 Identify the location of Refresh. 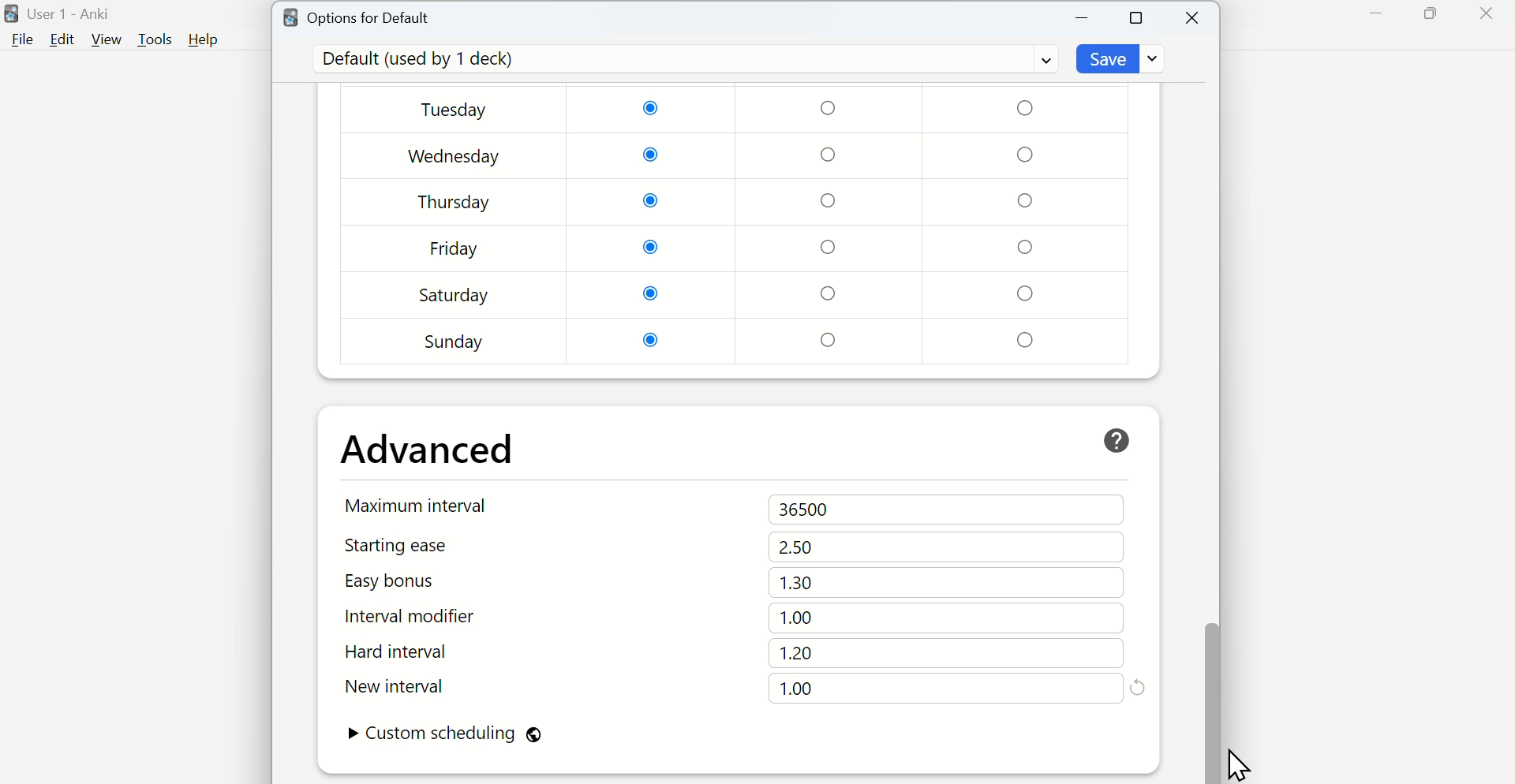
(1138, 686).